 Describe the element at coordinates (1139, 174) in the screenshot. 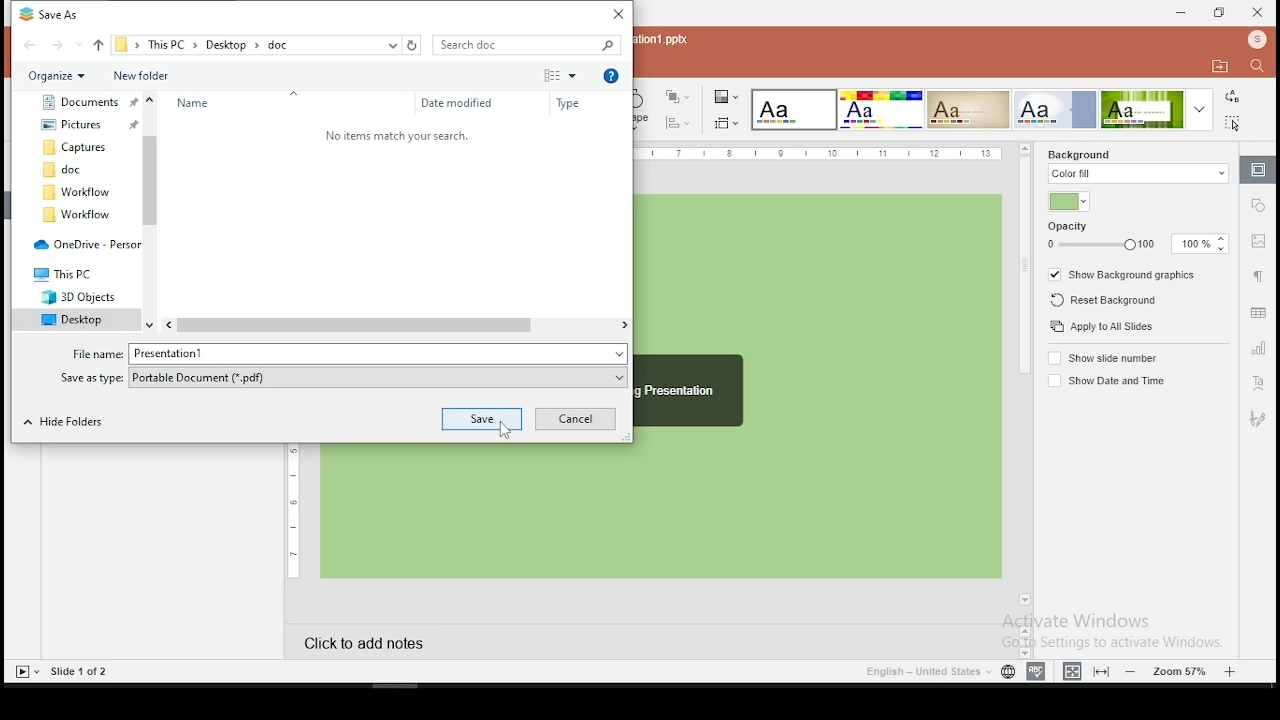

I see `color fill` at that location.